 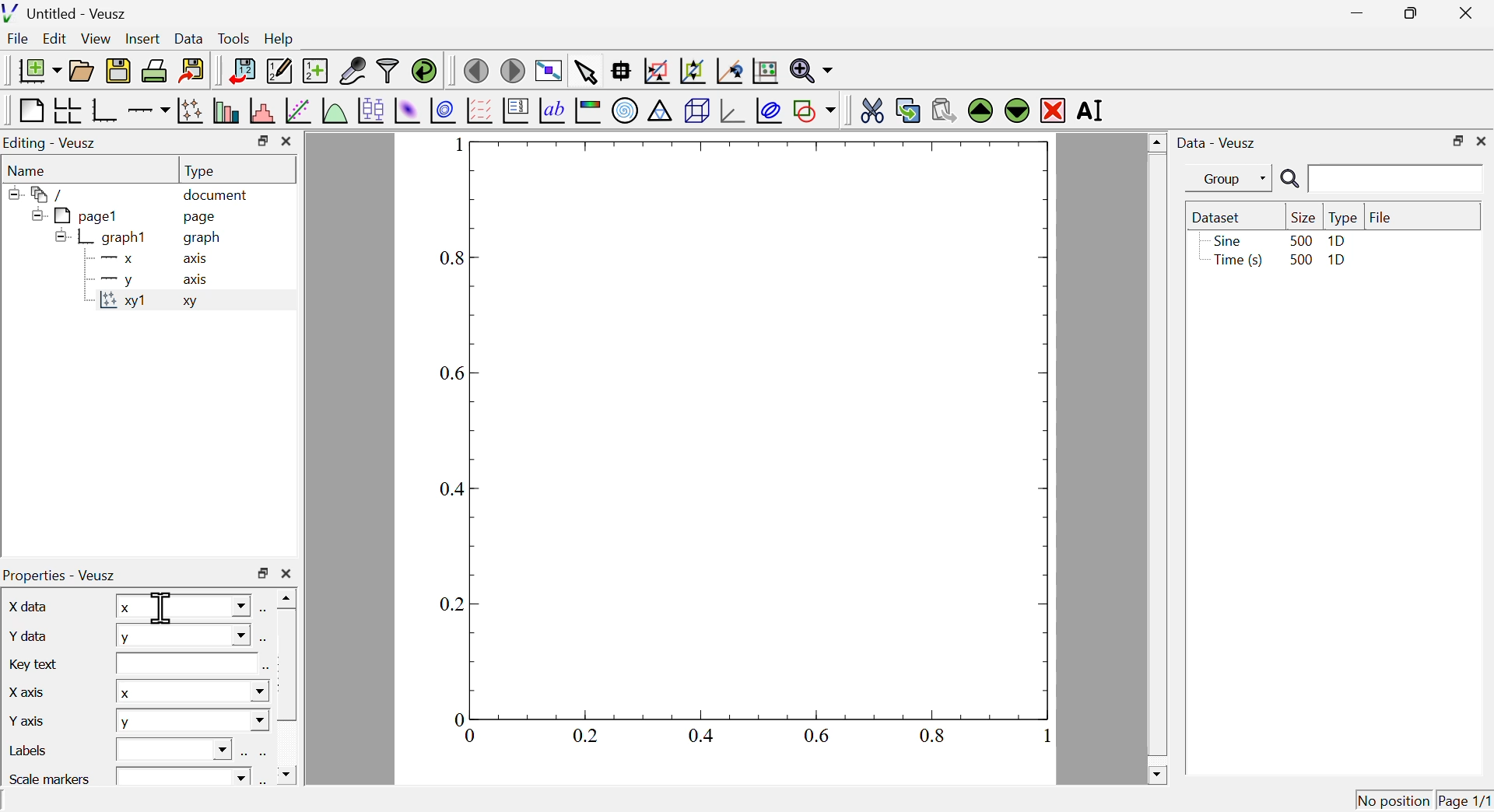 What do you see at coordinates (980, 110) in the screenshot?
I see `move the selected widget up` at bounding box center [980, 110].